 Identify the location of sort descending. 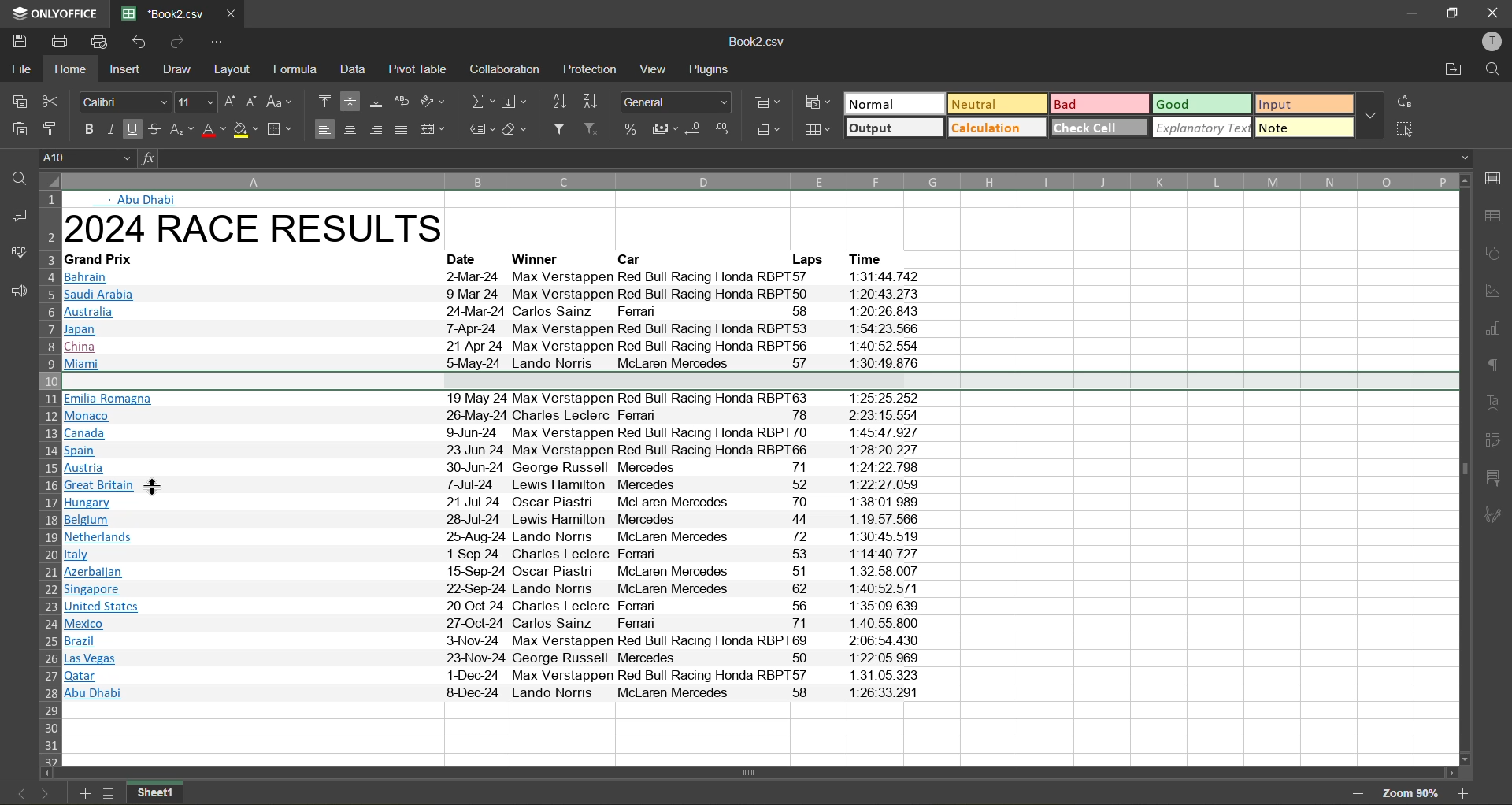
(591, 101).